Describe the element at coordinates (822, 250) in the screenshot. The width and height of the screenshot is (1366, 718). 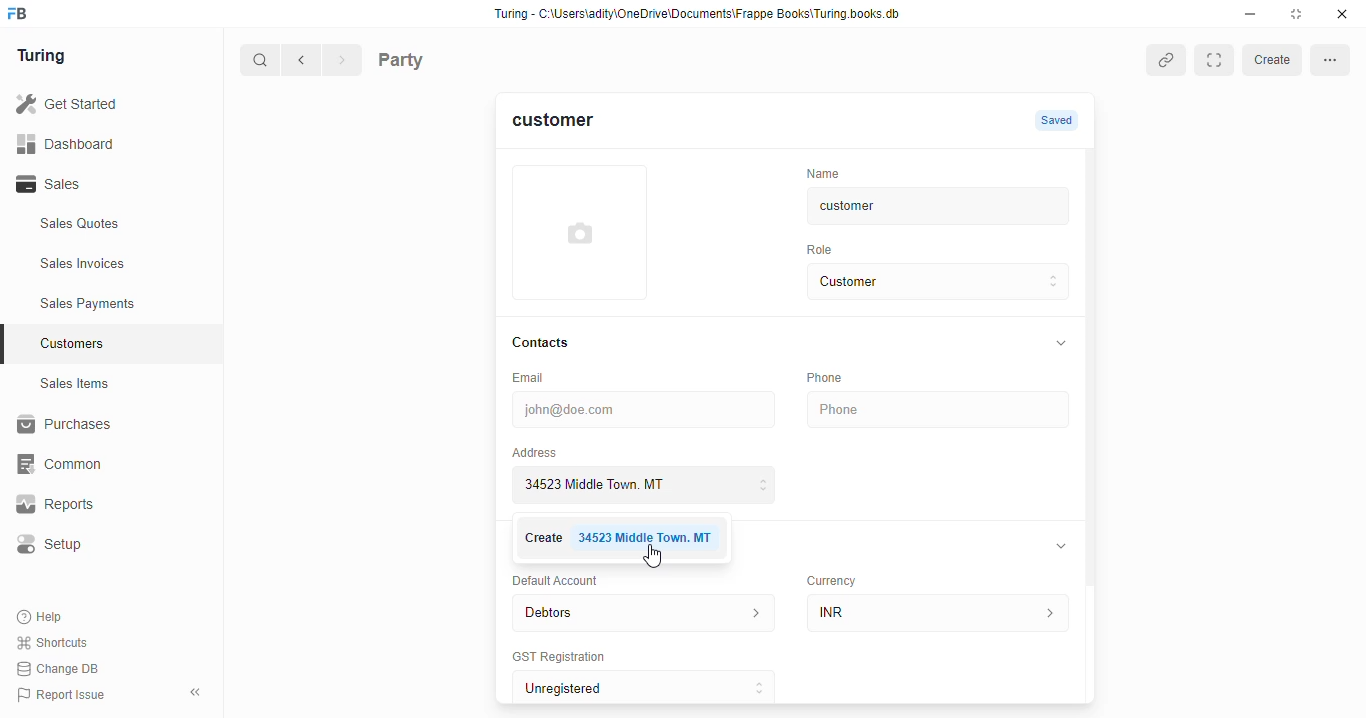
I see `Role` at that location.